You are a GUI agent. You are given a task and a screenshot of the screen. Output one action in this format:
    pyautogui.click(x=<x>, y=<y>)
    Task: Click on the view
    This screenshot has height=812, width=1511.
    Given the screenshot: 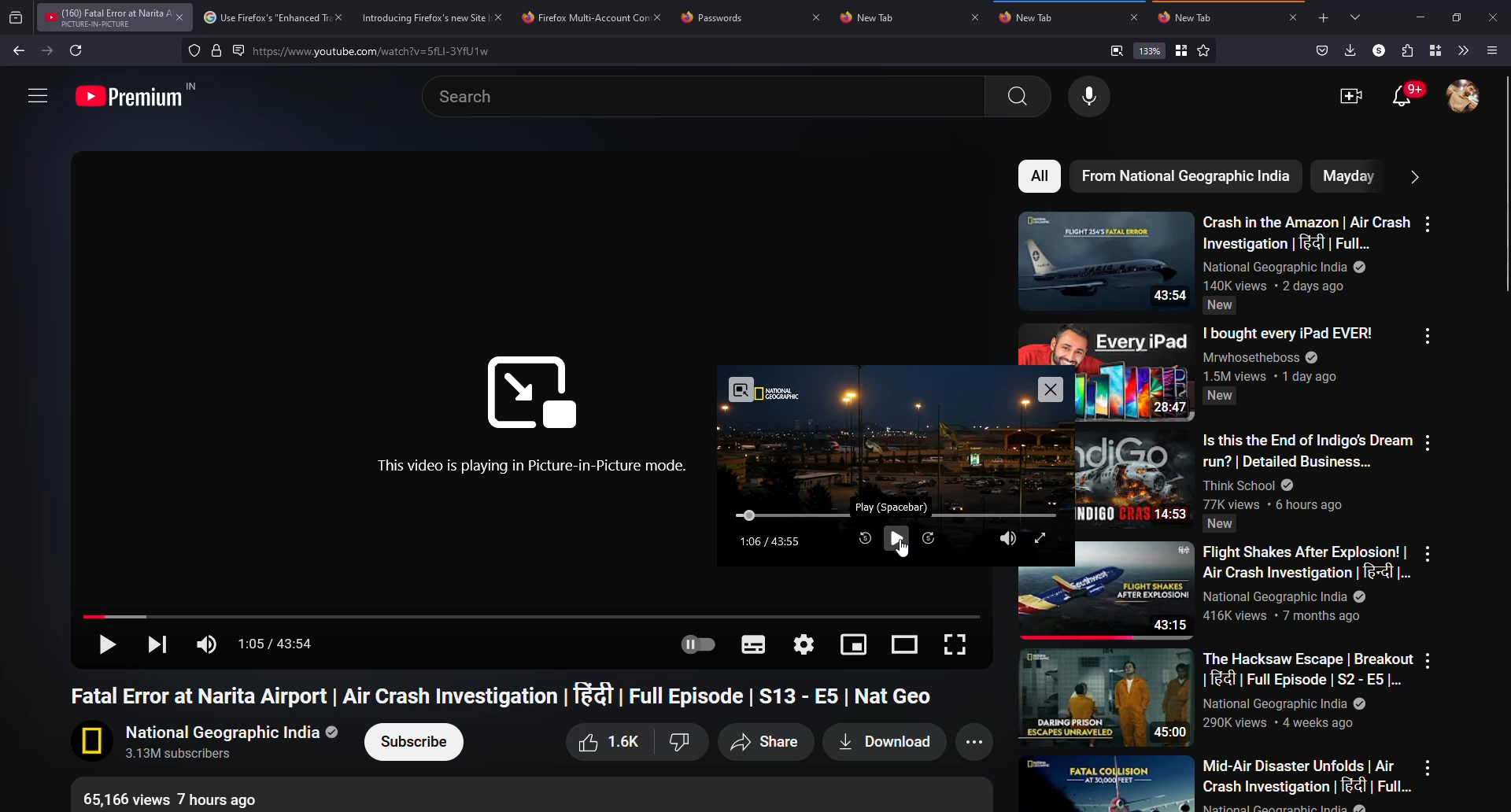 What is the action you would take?
    pyautogui.click(x=1116, y=50)
    